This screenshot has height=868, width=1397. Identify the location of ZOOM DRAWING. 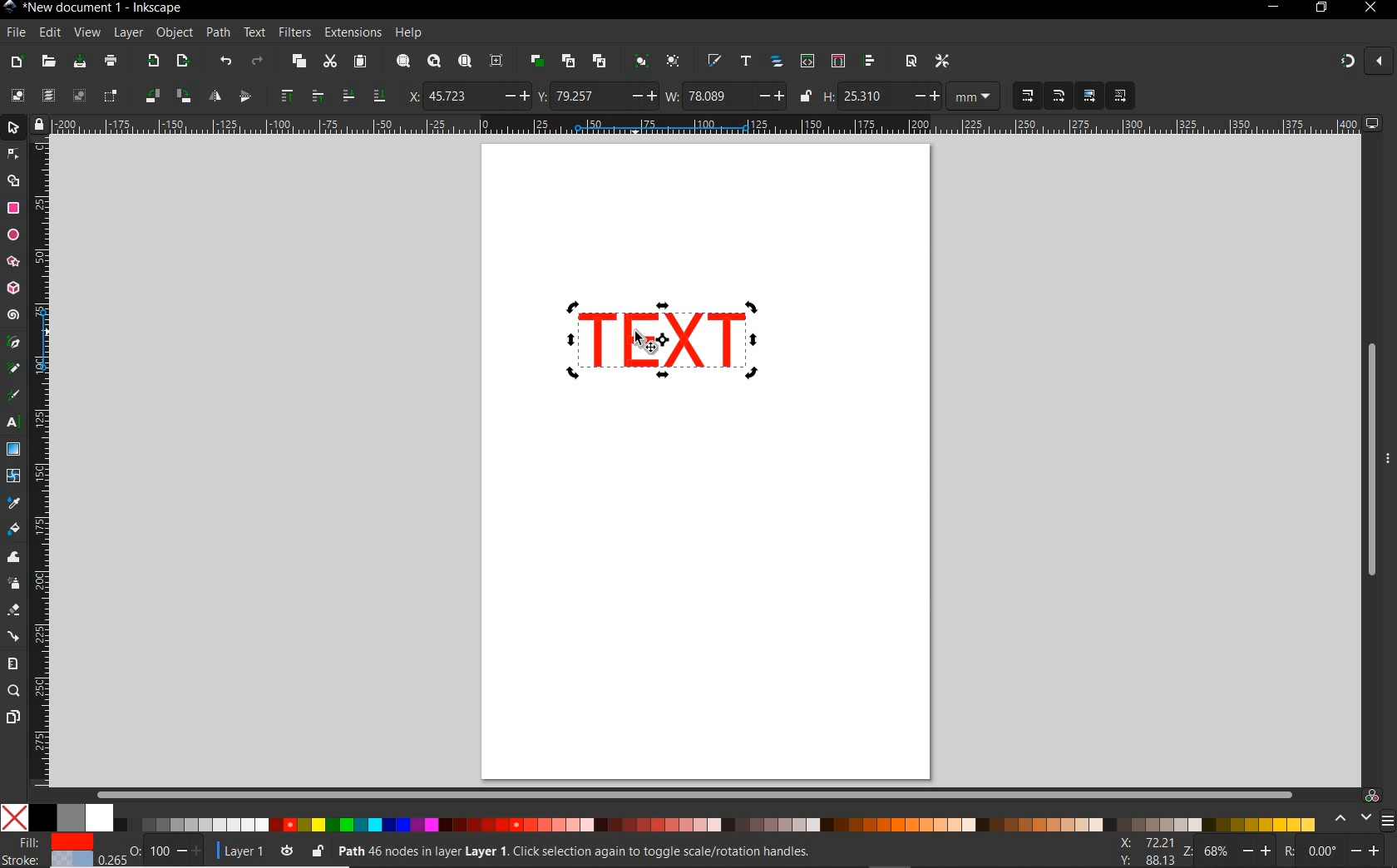
(432, 62).